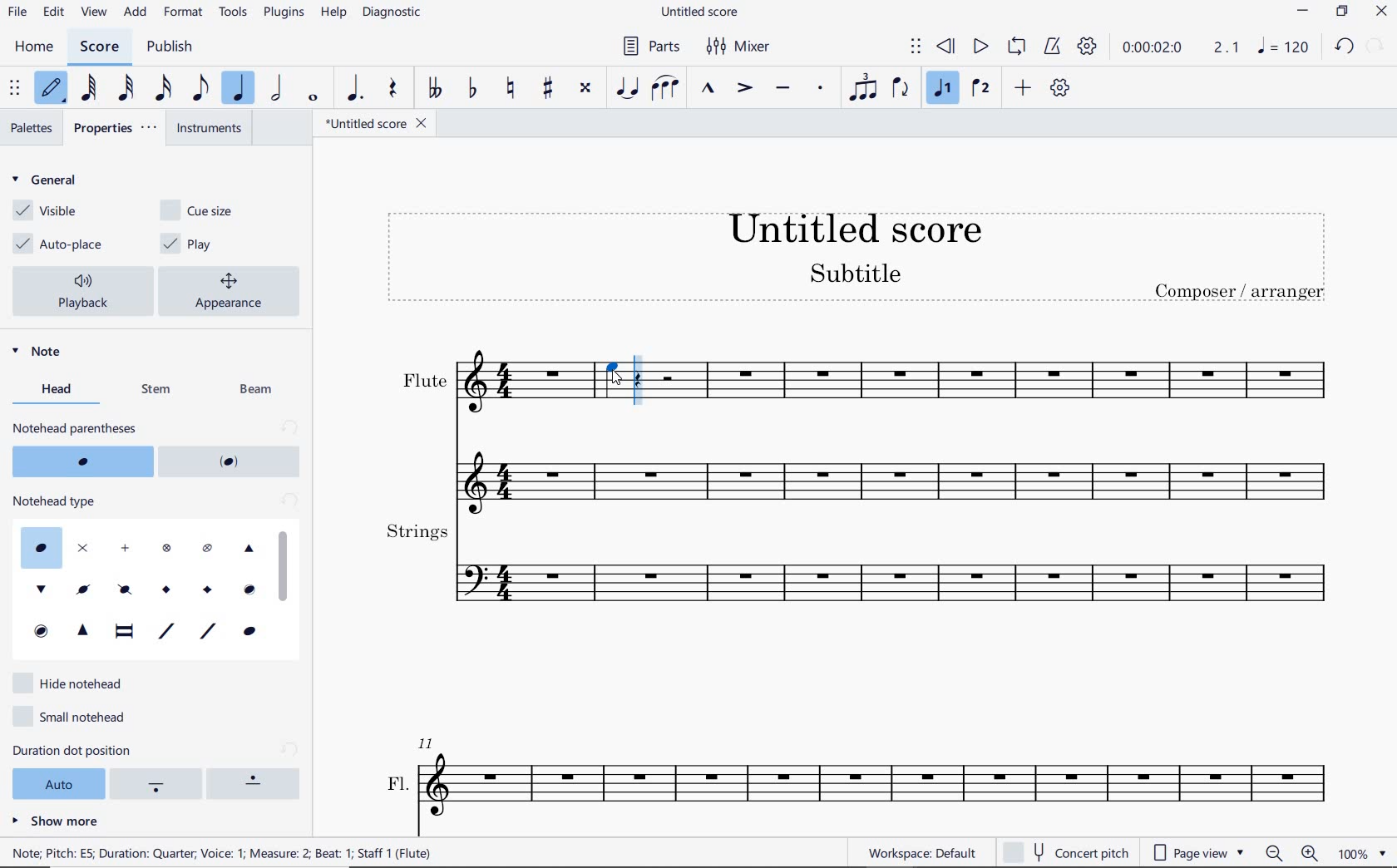 The height and width of the screenshot is (868, 1397). Describe the element at coordinates (185, 11) in the screenshot. I see `FORMAT` at that location.